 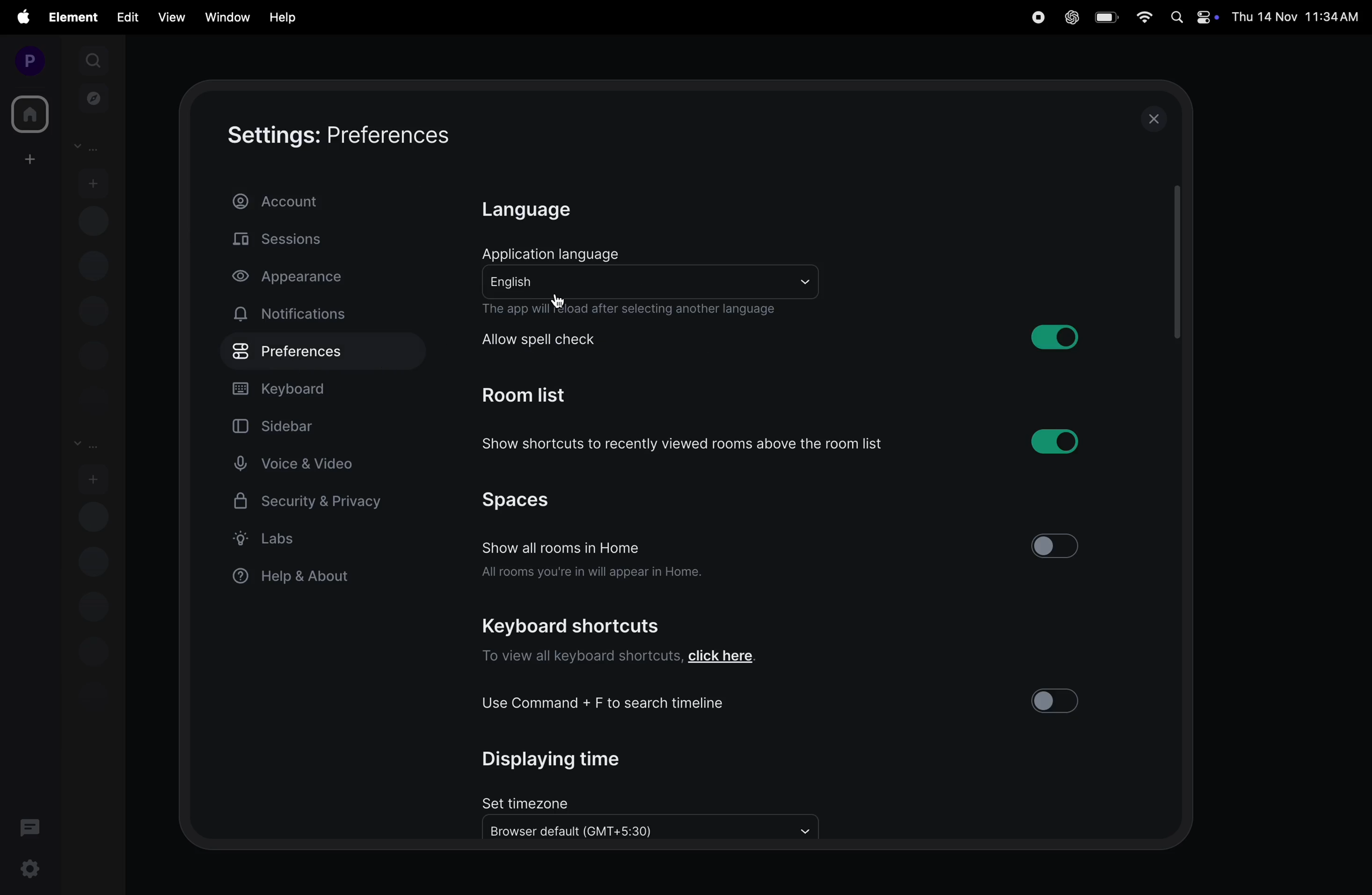 I want to click on add, so click(x=94, y=182).